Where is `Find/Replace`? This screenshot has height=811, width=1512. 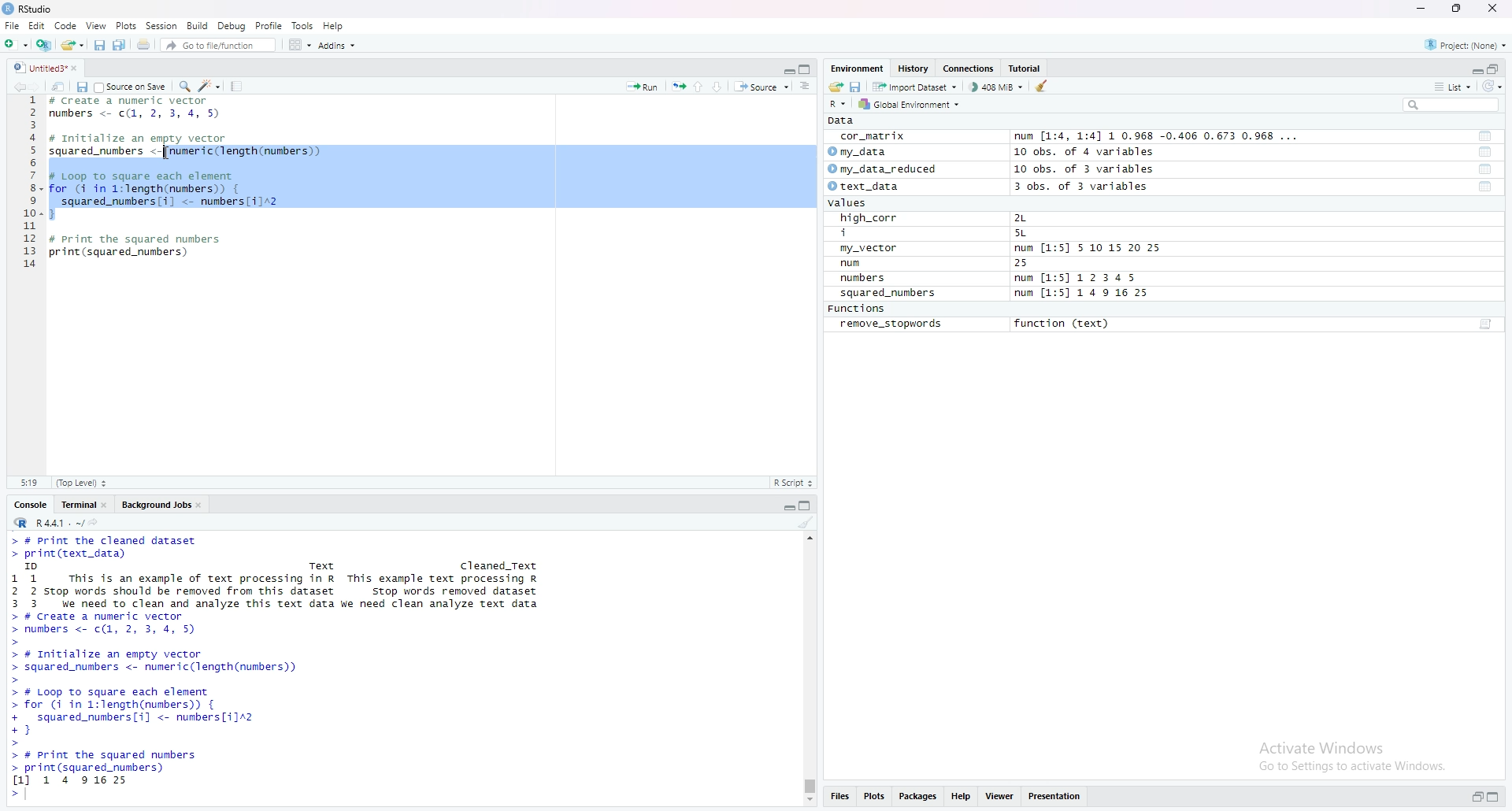 Find/Replace is located at coordinates (184, 85).